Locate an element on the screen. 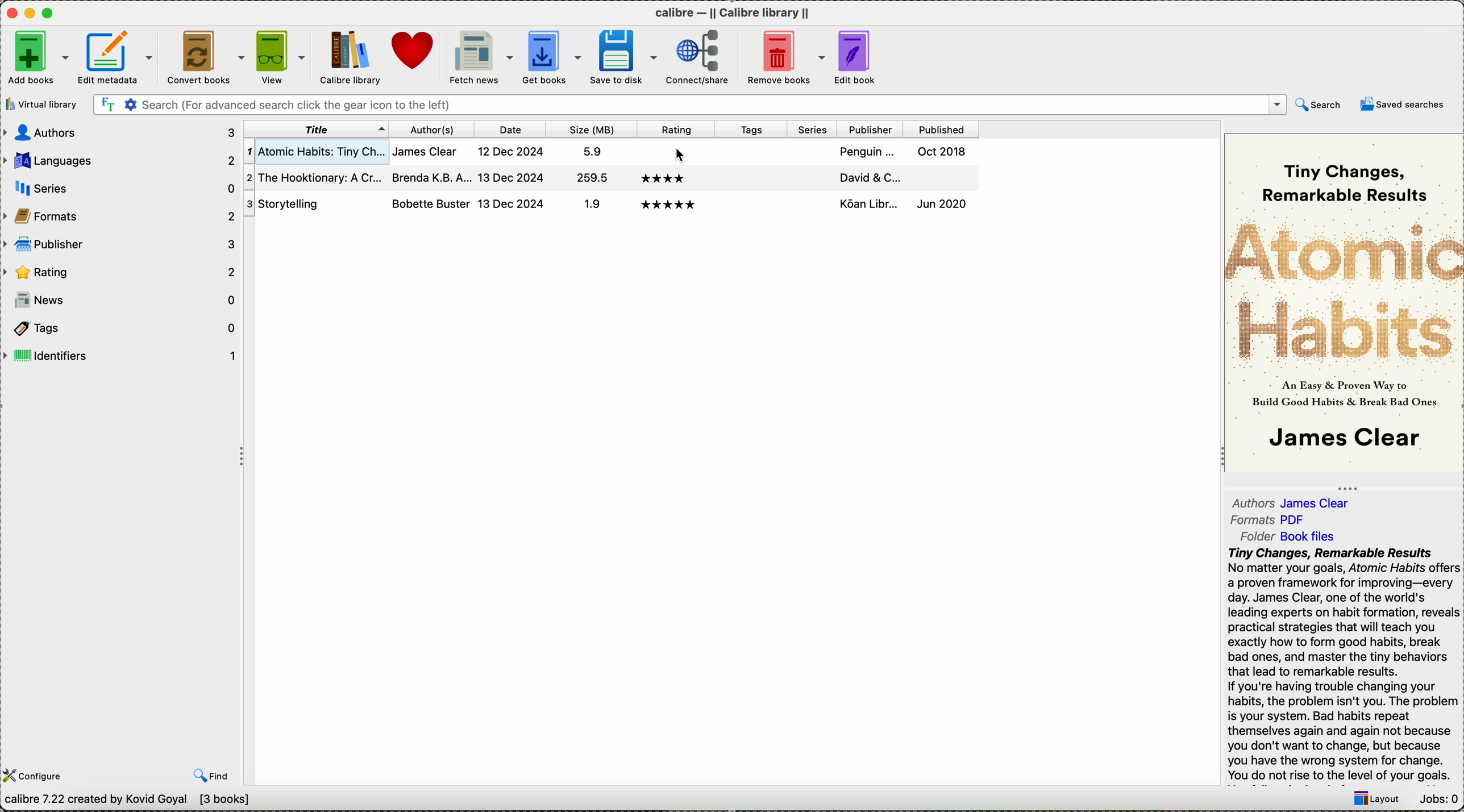 The width and height of the screenshot is (1464, 812). folder book files is located at coordinates (1250, 536).